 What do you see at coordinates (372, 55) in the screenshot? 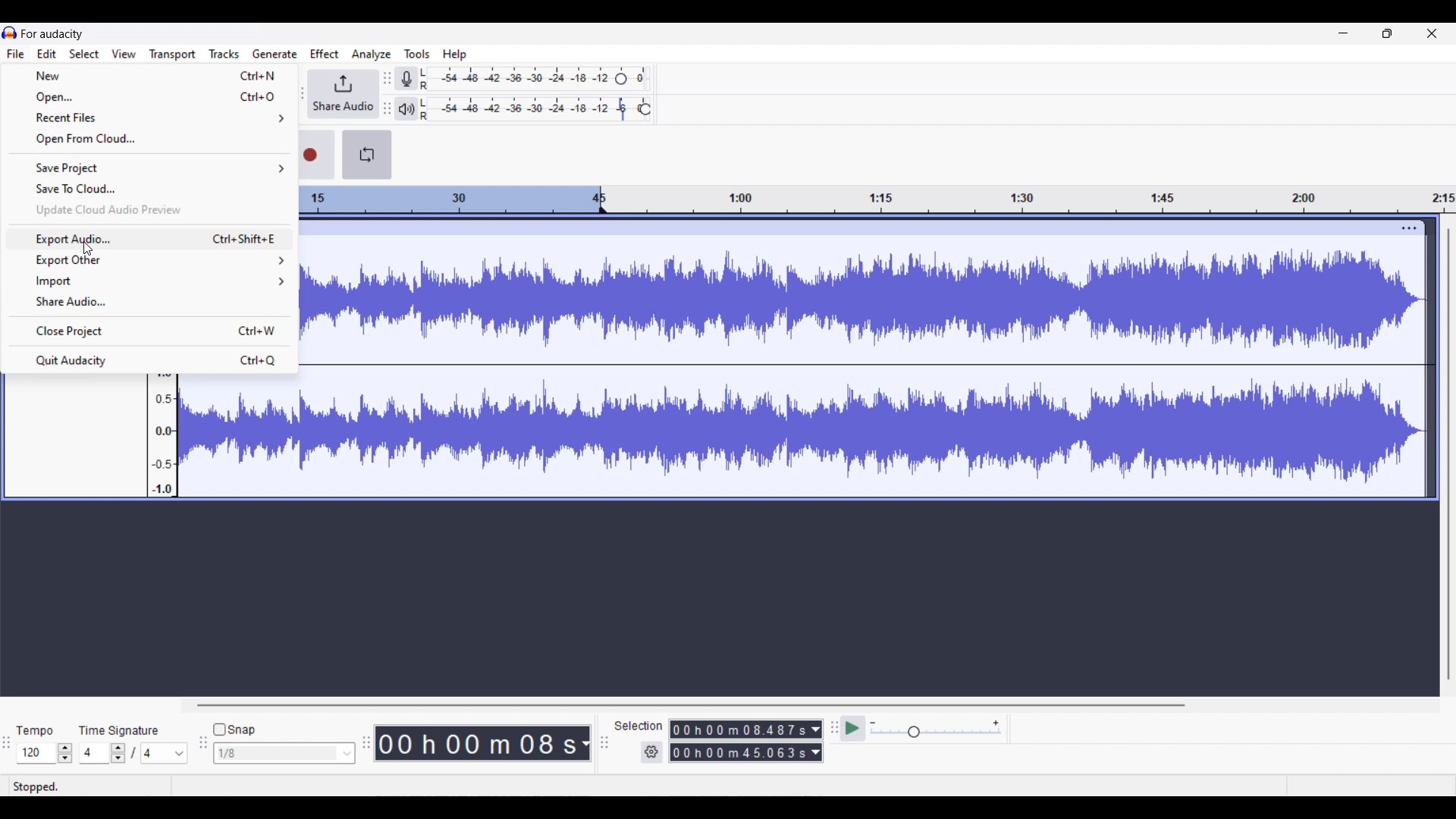
I see `Analyze menu` at bounding box center [372, 55].